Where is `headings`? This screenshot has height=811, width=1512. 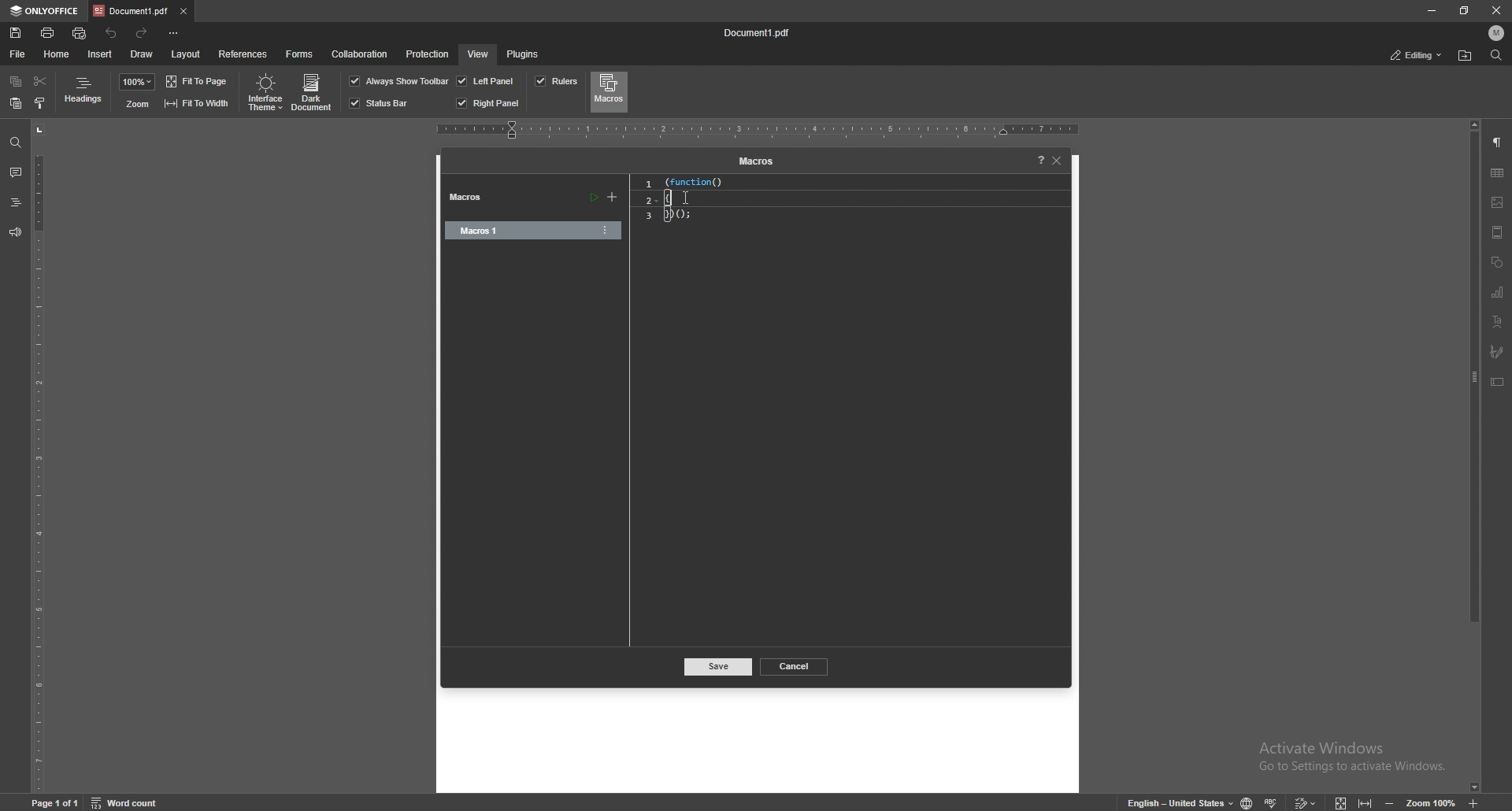
headings is located at coordinates (15, 202).